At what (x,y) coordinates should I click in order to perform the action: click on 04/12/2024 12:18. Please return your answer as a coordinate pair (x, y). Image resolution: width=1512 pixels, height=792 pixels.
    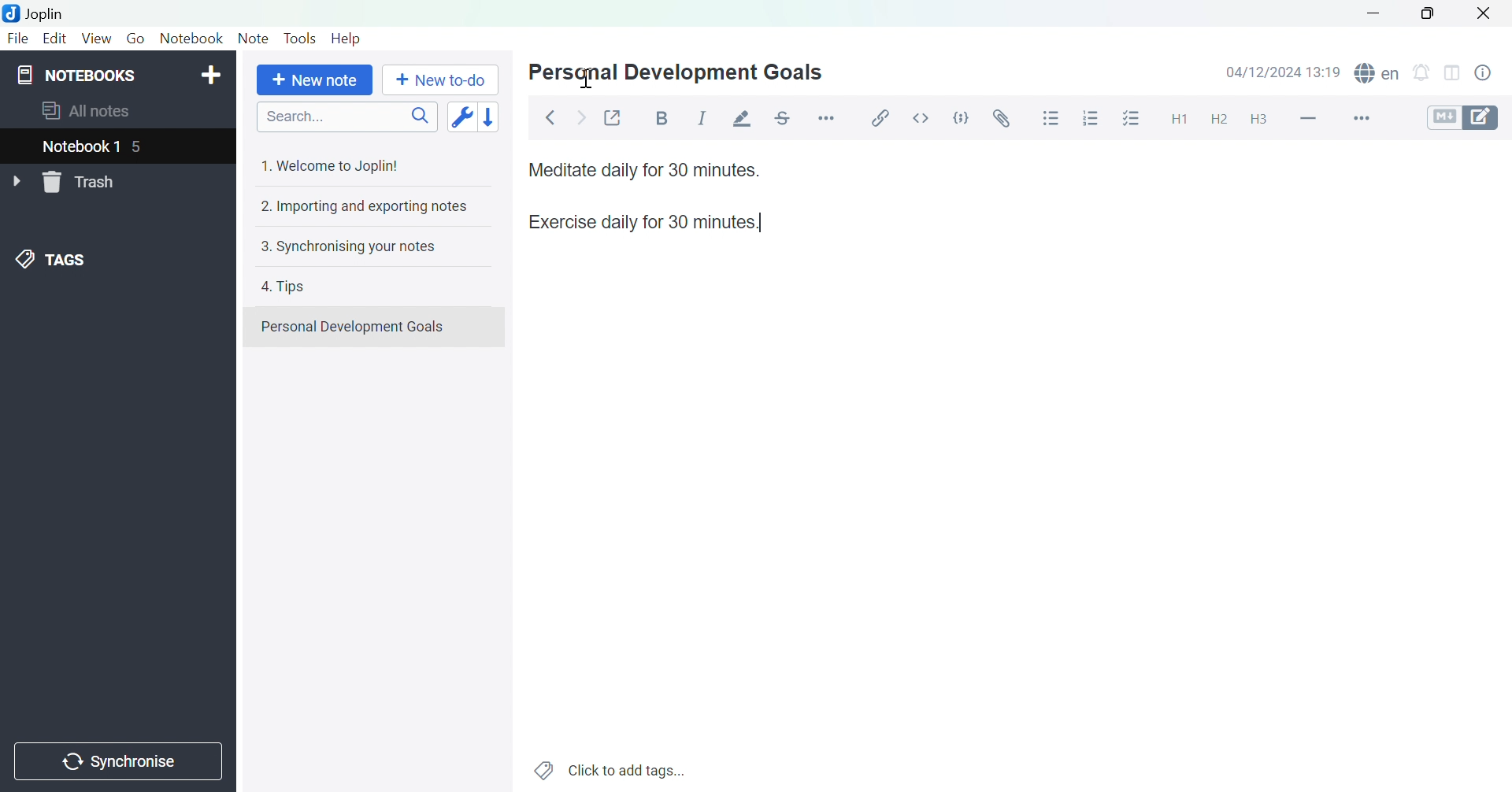
    Looking at the image, I should click on (1284, 72).